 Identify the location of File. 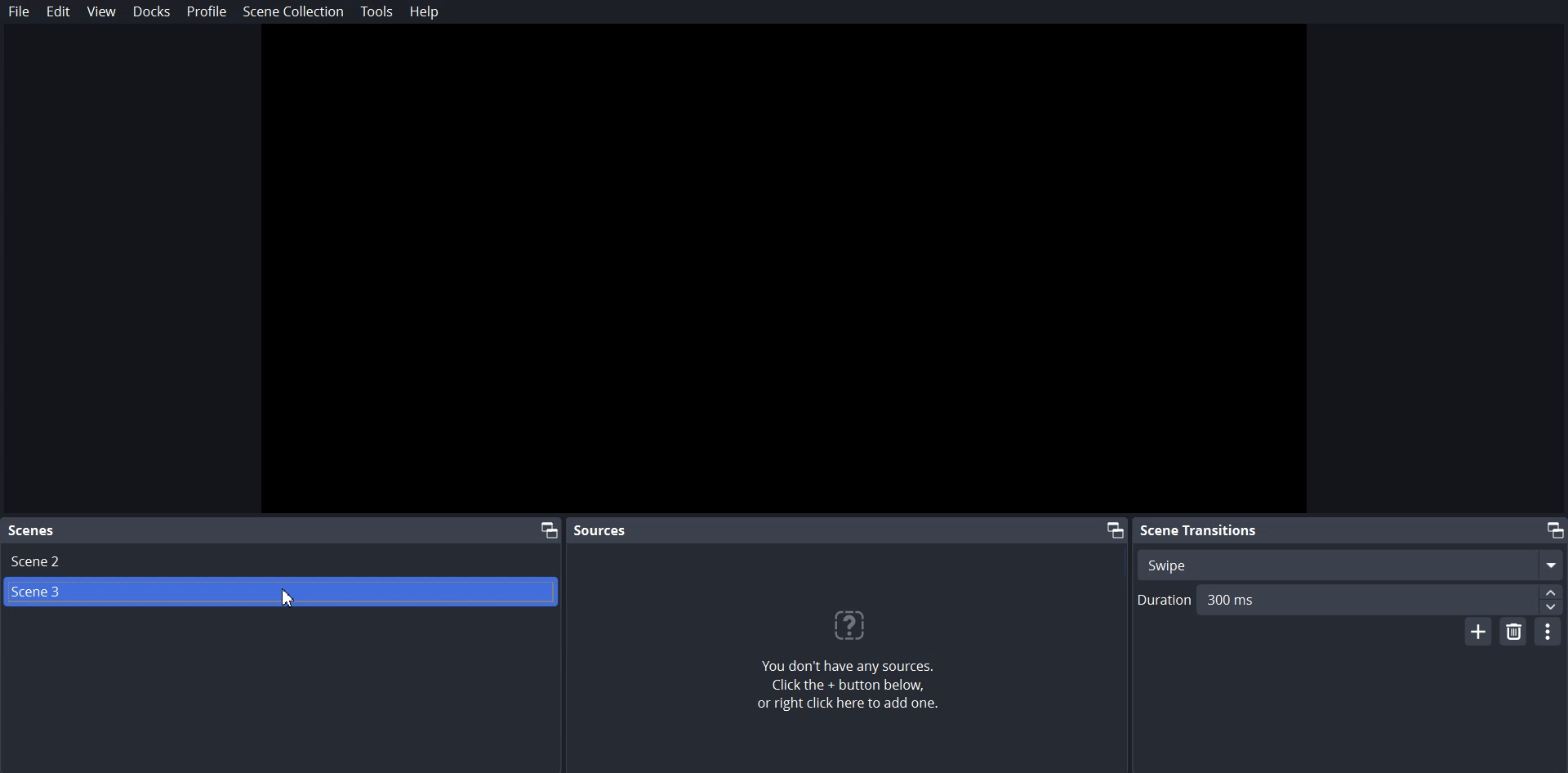
(20, 11).